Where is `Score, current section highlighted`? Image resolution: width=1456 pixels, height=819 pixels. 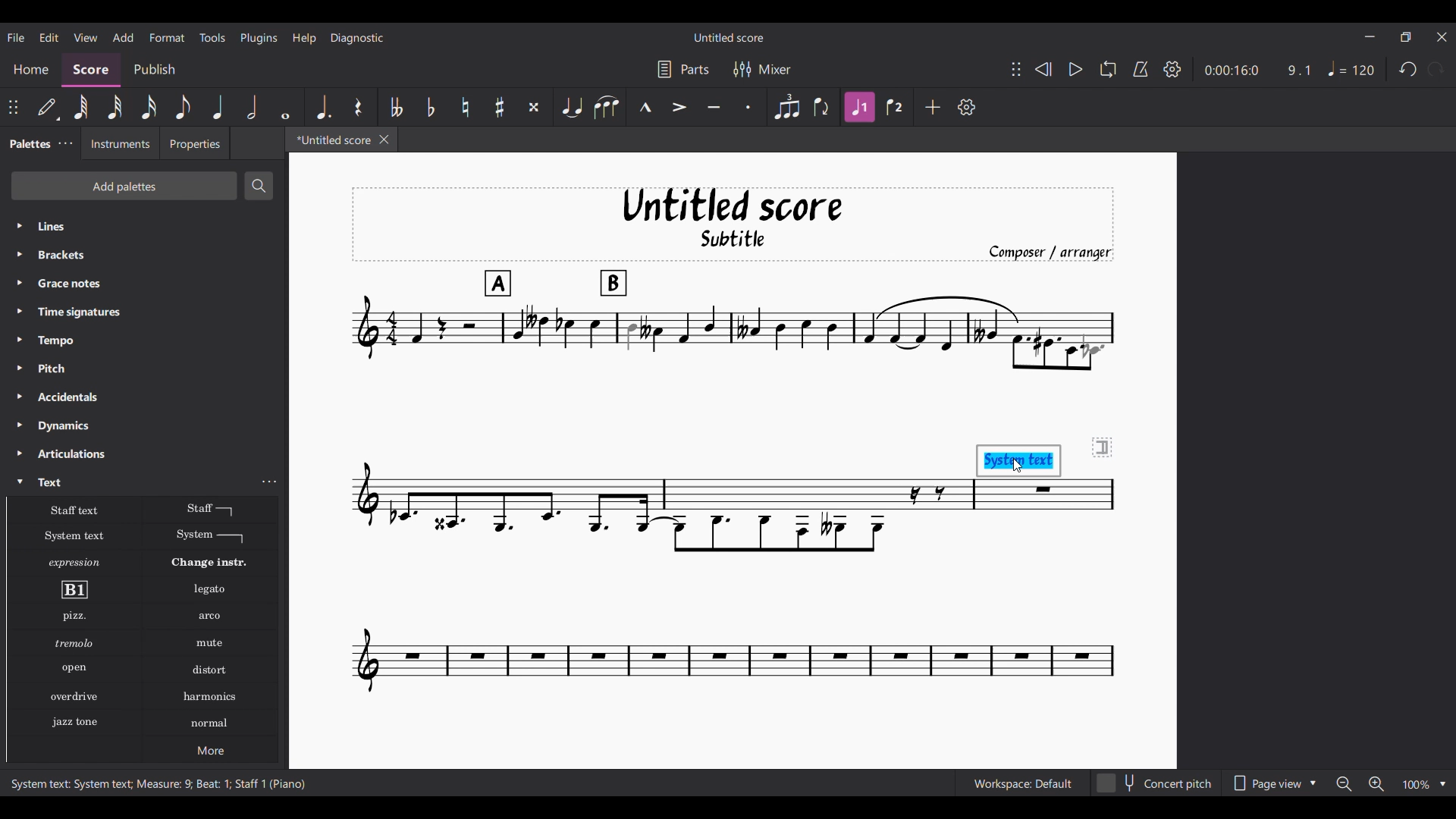
Score, current section highlighted is located at coordinates (91, 70).